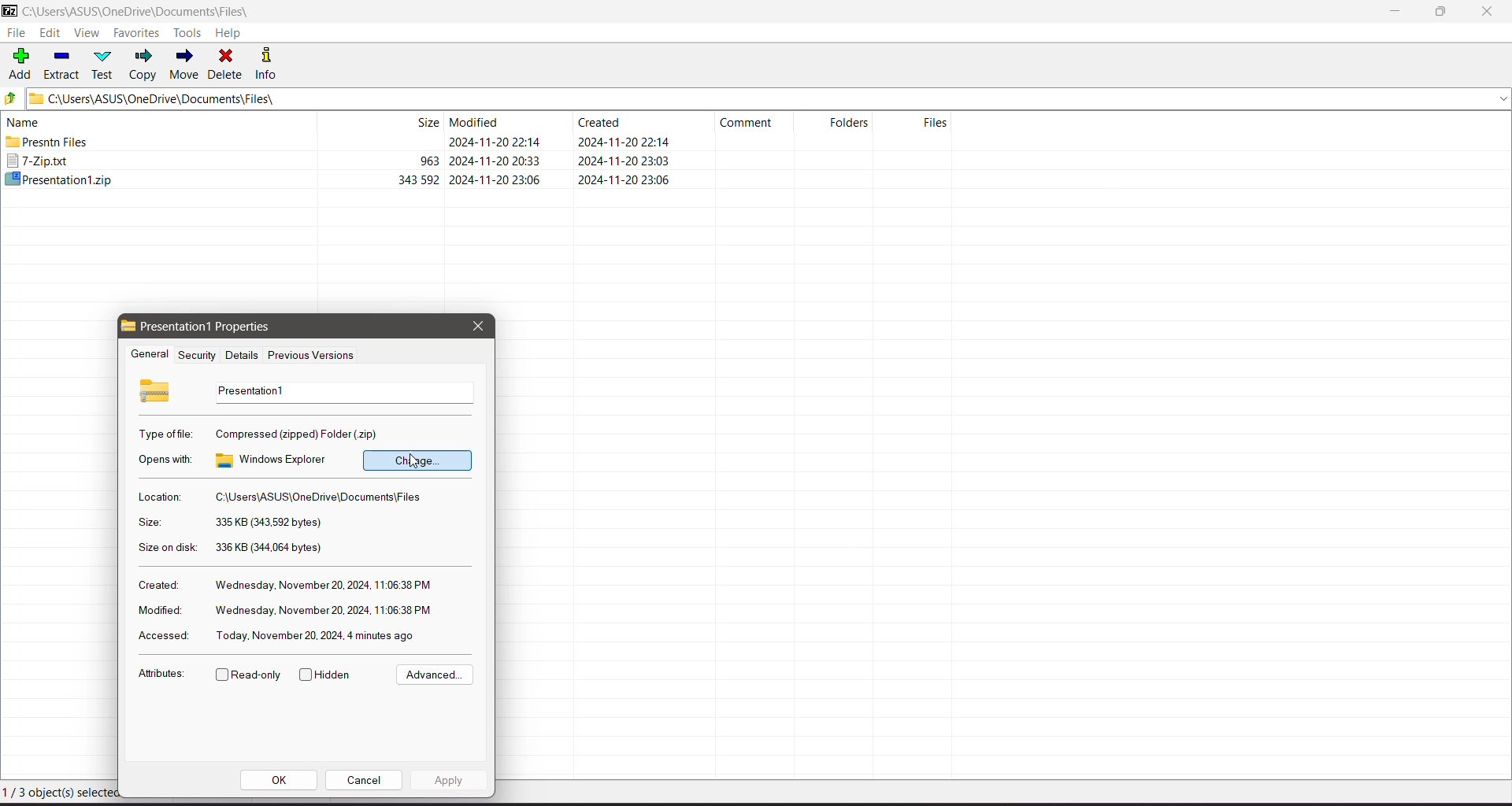  I want to click on Size, so click(149, 523).